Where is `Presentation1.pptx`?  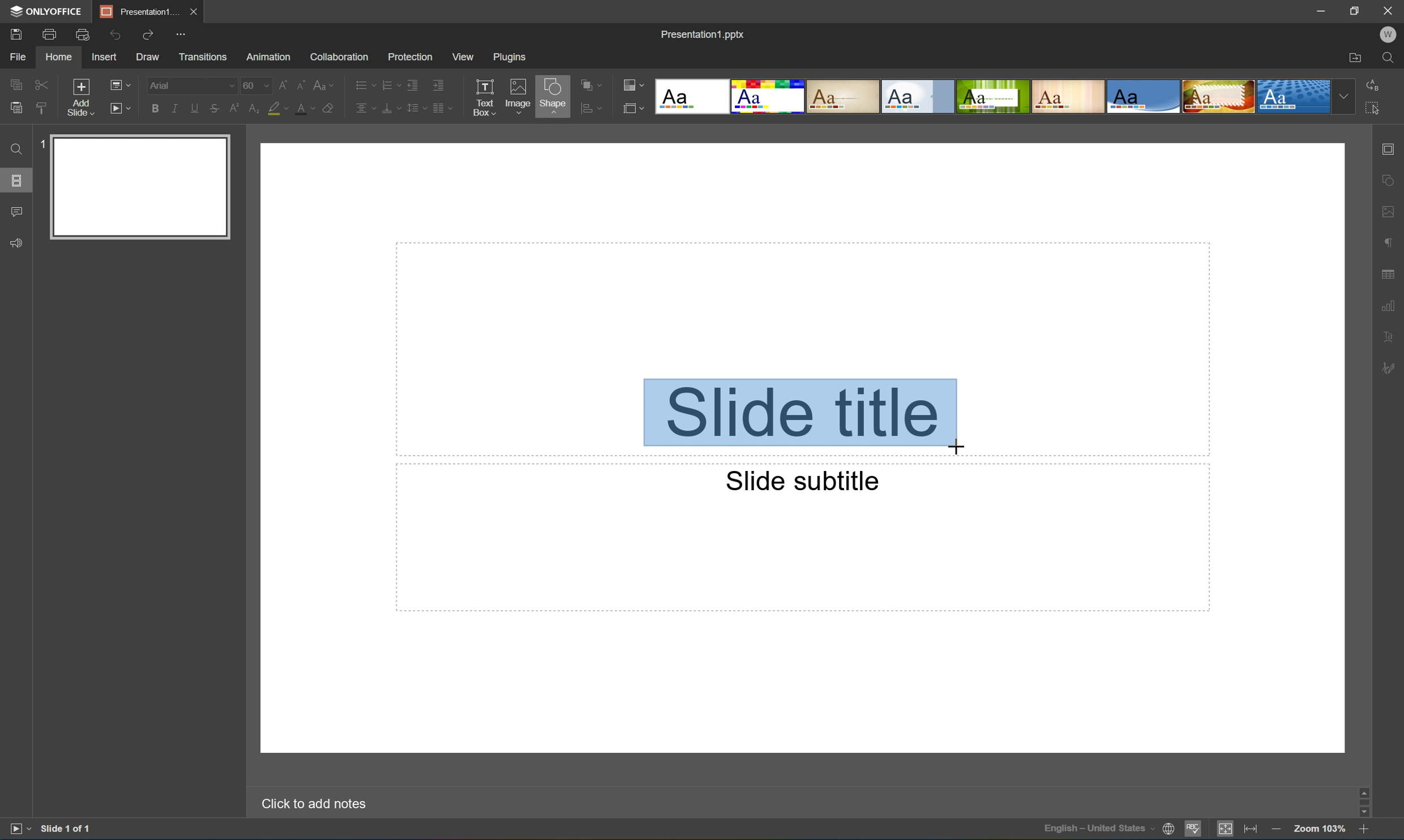
Presentation1.pptx is located at coordinates (702, 37).